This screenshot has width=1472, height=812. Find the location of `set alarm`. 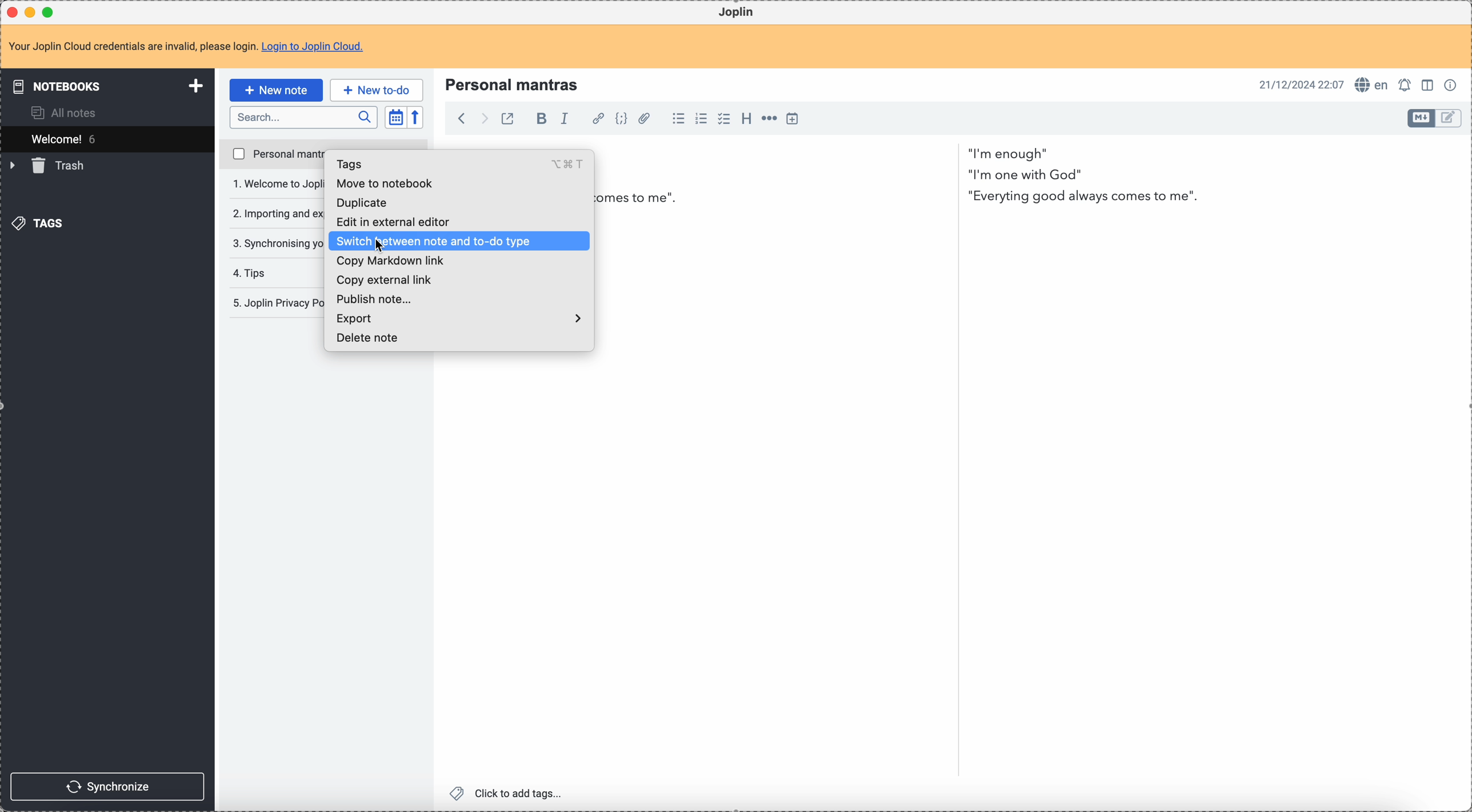

set alarm is located at coordinates (1406, 84).